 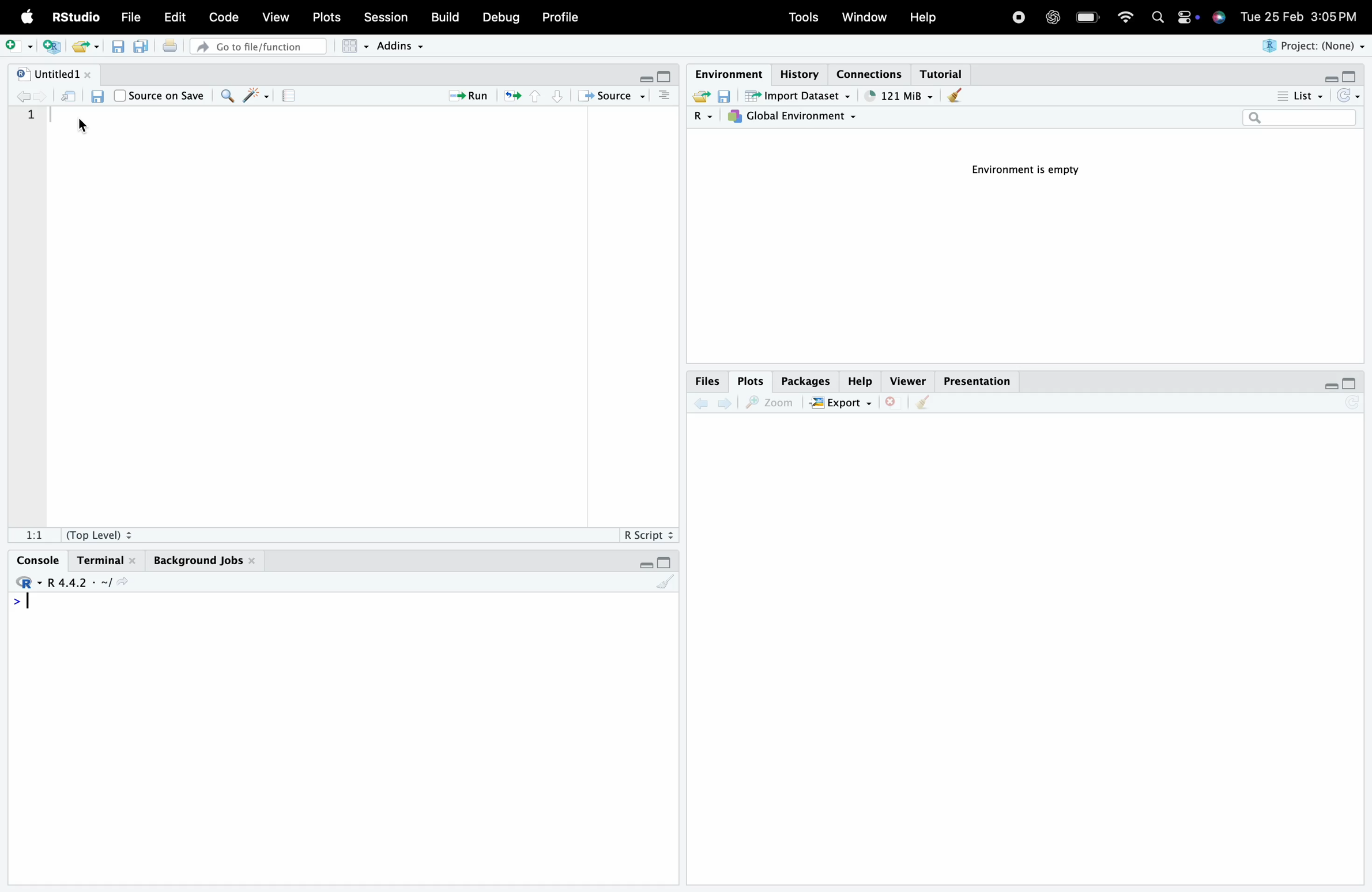 I want to click on Run the current line or selection (Ctrl + Enter), so click(x=464, y=96).